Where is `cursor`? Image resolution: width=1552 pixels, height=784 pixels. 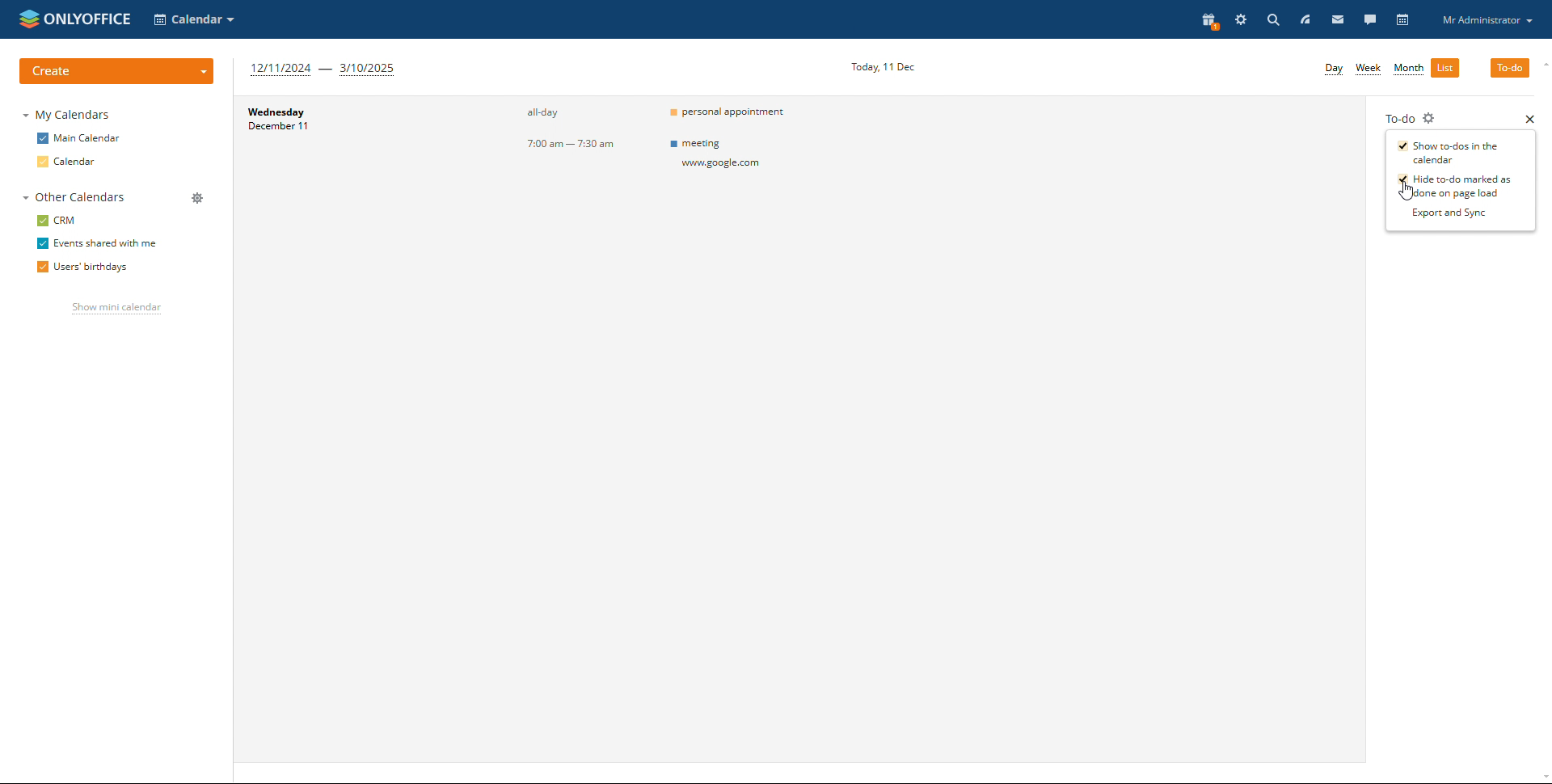
cursor is located at coordinates (1408, 190).